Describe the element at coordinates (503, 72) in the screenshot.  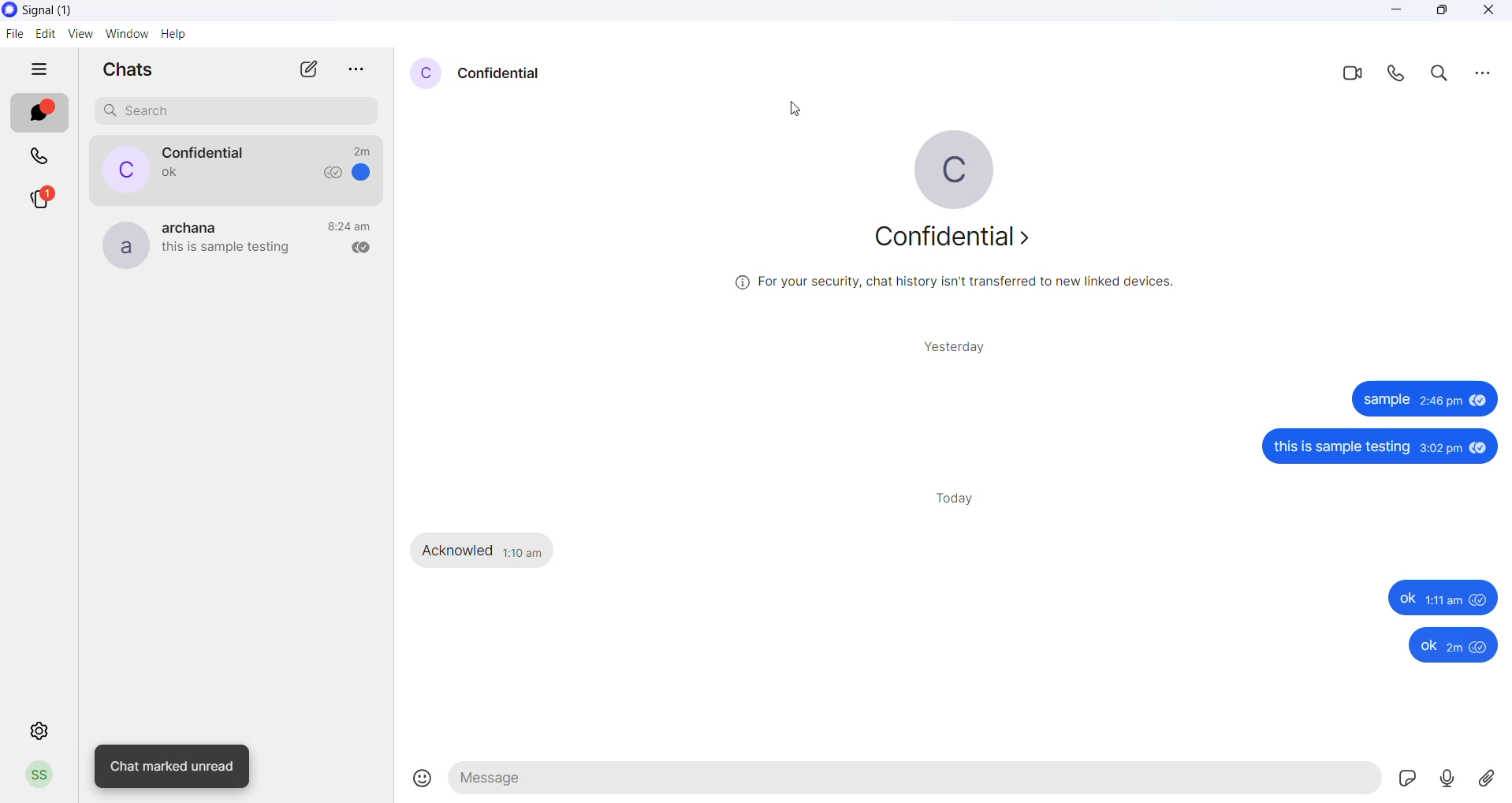
I see `contact name` at that location.